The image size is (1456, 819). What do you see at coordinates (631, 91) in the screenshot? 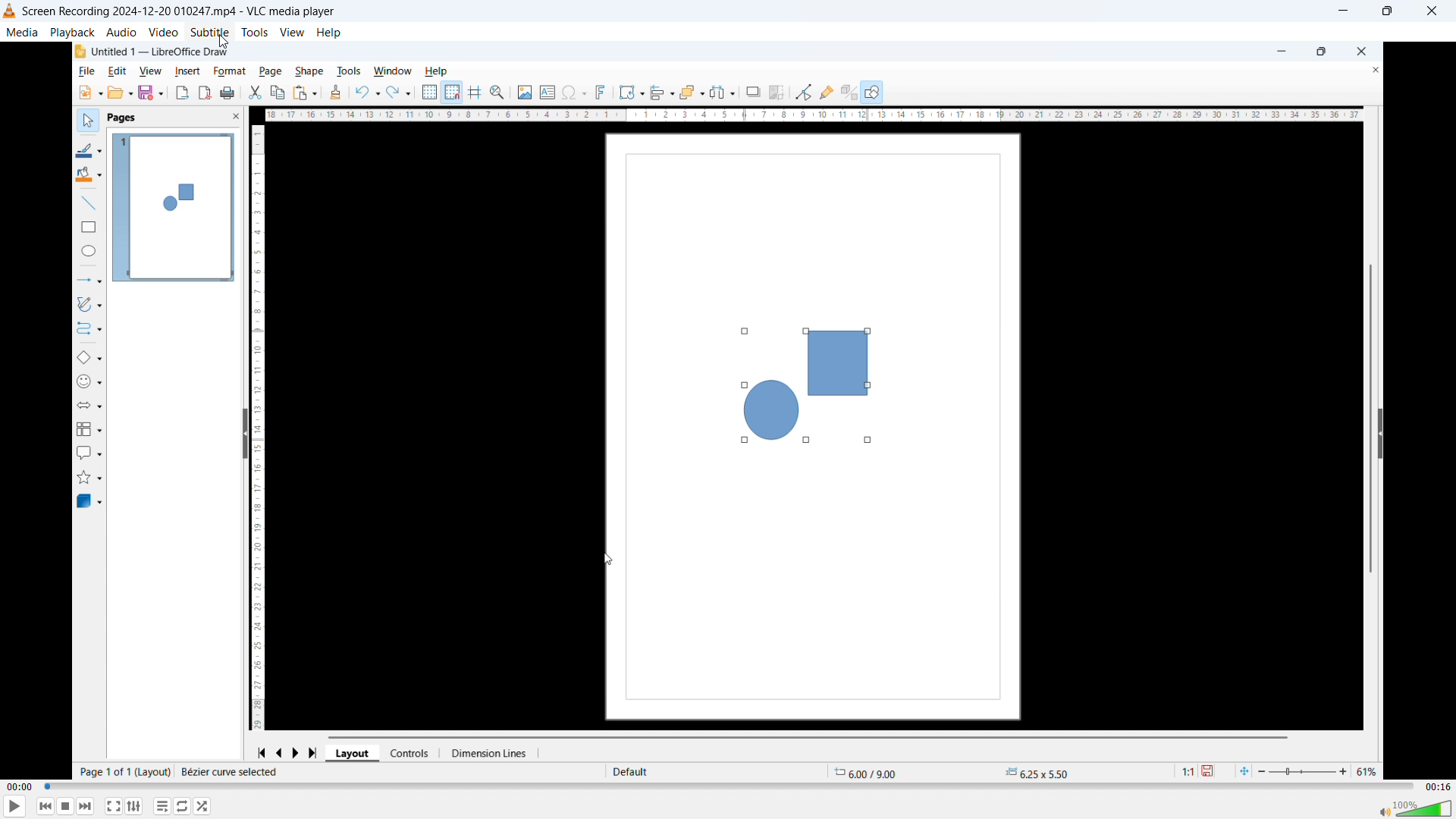
I see `transformation` at bounding box center [631, 91].